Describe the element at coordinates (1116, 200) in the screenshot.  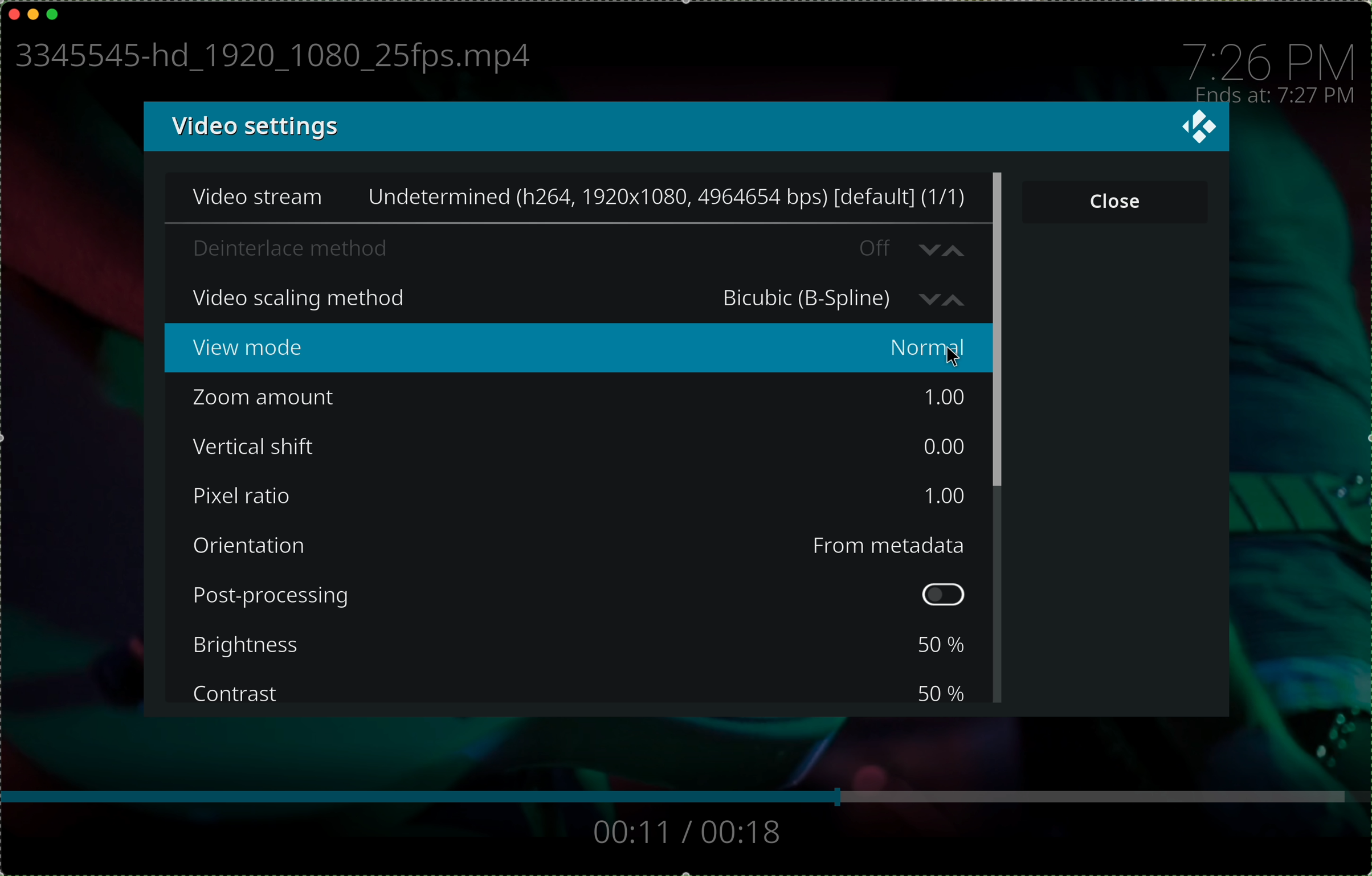
I see `close button` at that location.